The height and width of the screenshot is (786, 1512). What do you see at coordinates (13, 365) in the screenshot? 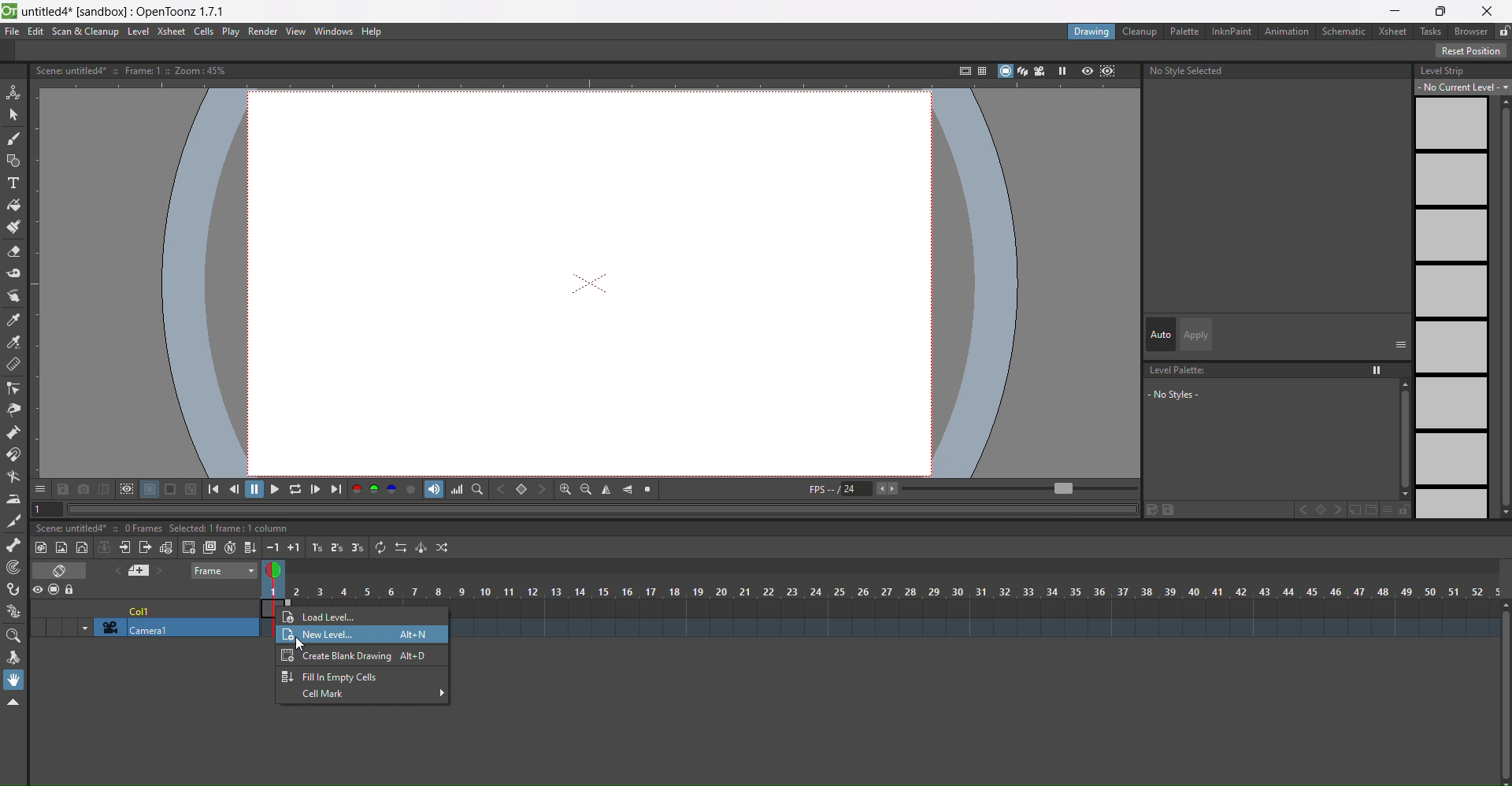
I see `ruler tool` at bounding box center [13, 365].